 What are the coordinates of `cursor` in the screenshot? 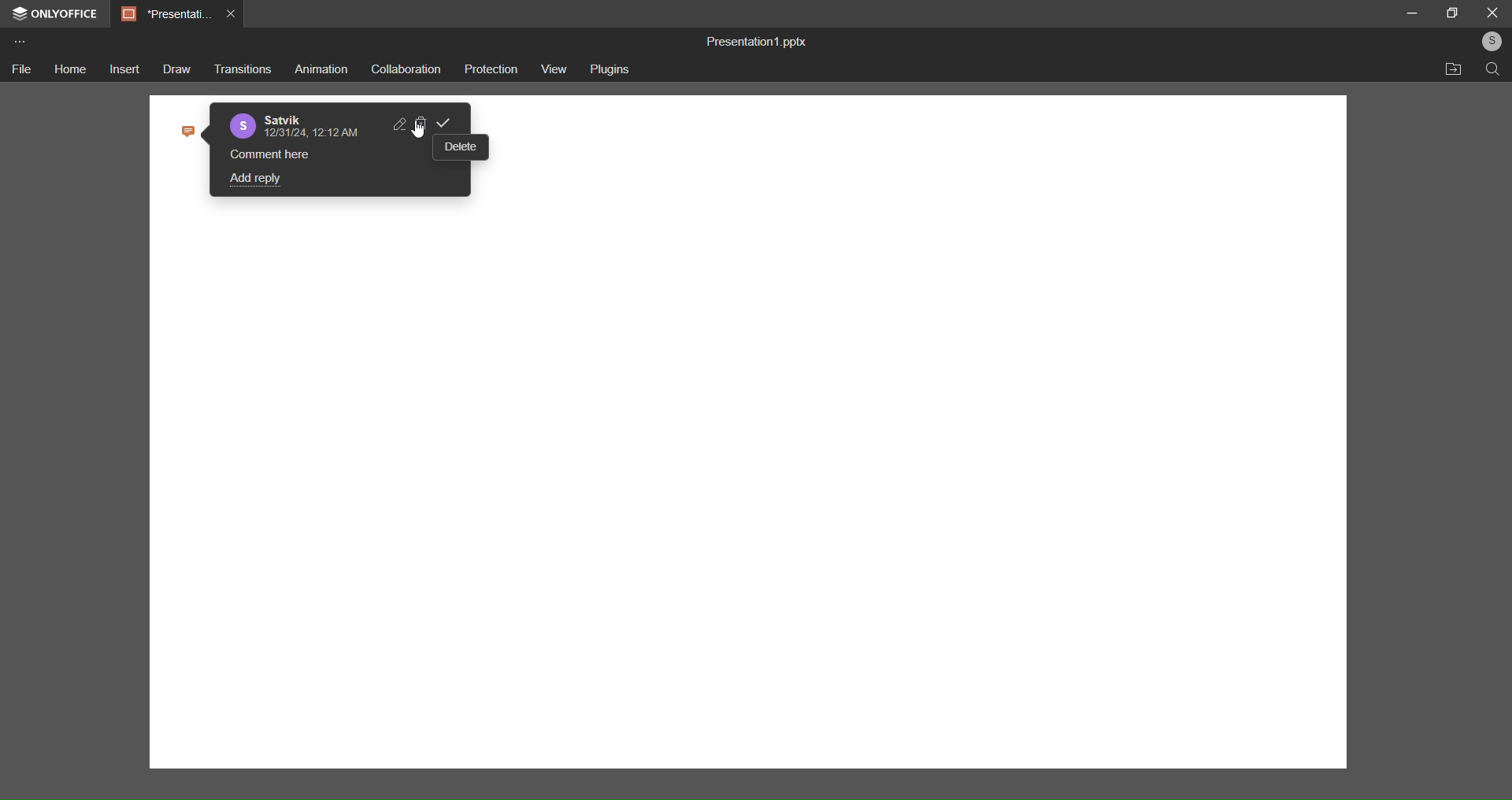 It's located at (420, 130).